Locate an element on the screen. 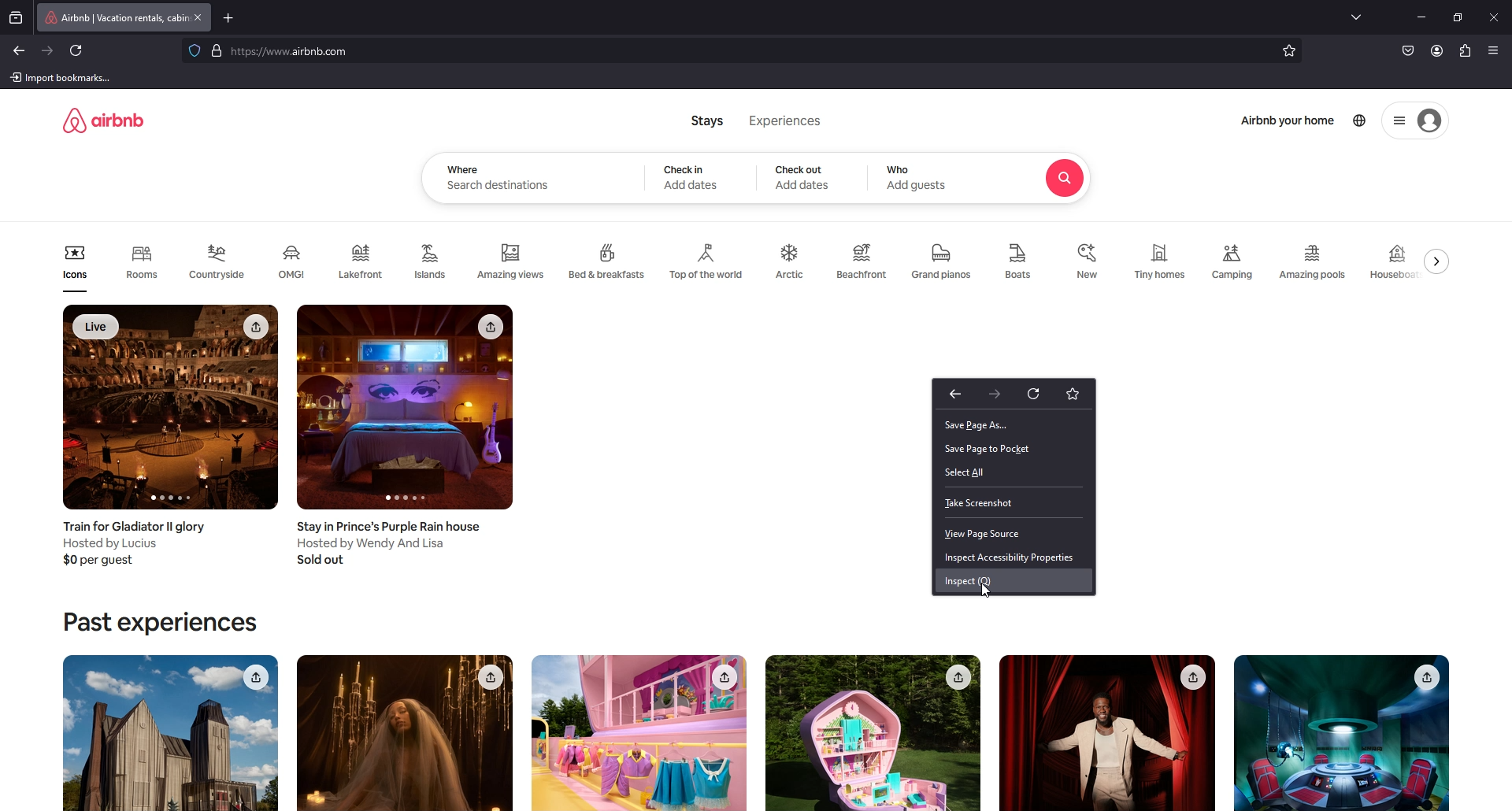 The image size is (1512, 811). save page as is located at coordinates (1010, 425).